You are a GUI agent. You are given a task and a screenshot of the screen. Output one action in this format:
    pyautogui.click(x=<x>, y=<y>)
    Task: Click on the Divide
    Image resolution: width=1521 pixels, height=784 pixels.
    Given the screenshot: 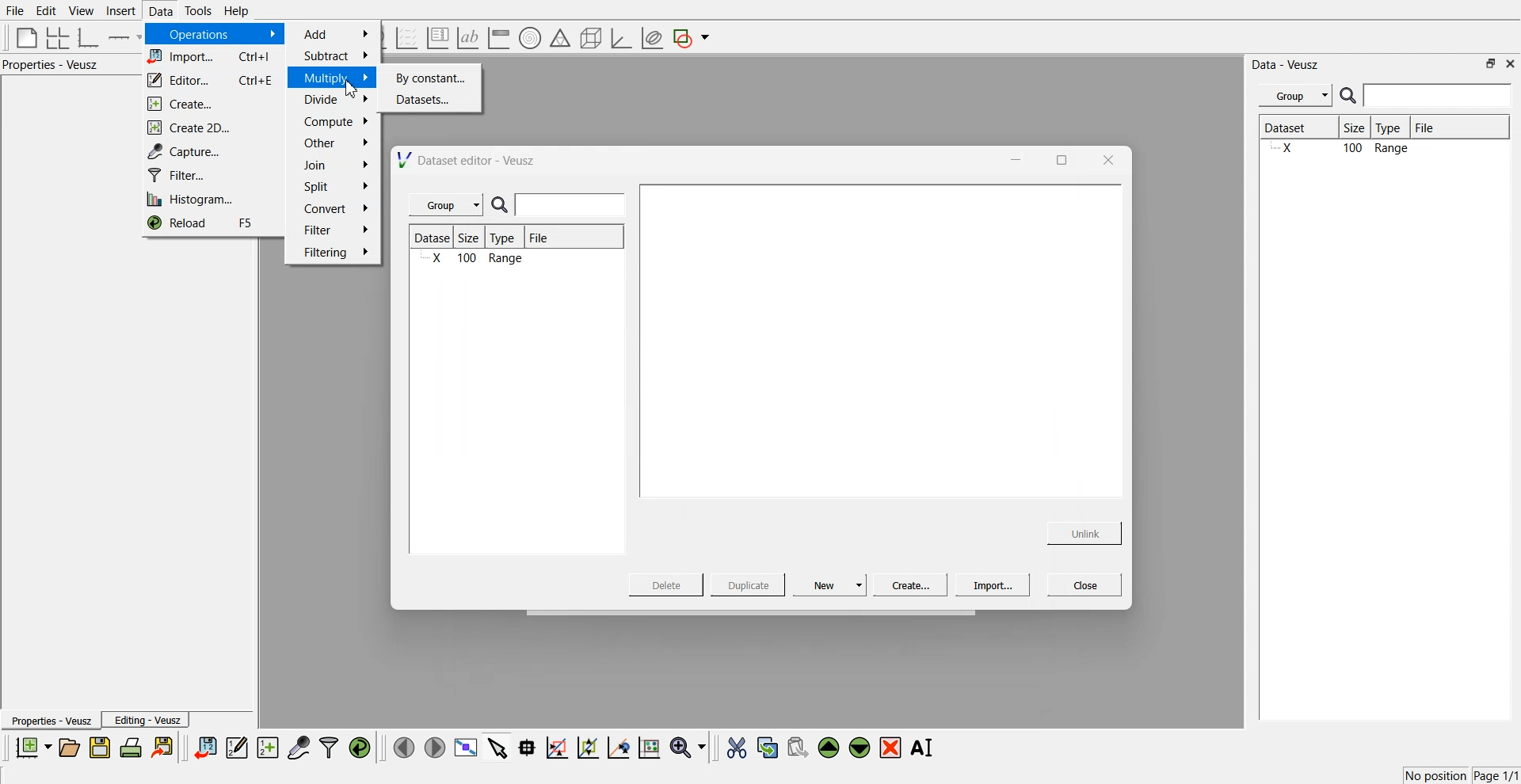 What is the action you would take?
    pyautogui.click(x=335, y=100)
    